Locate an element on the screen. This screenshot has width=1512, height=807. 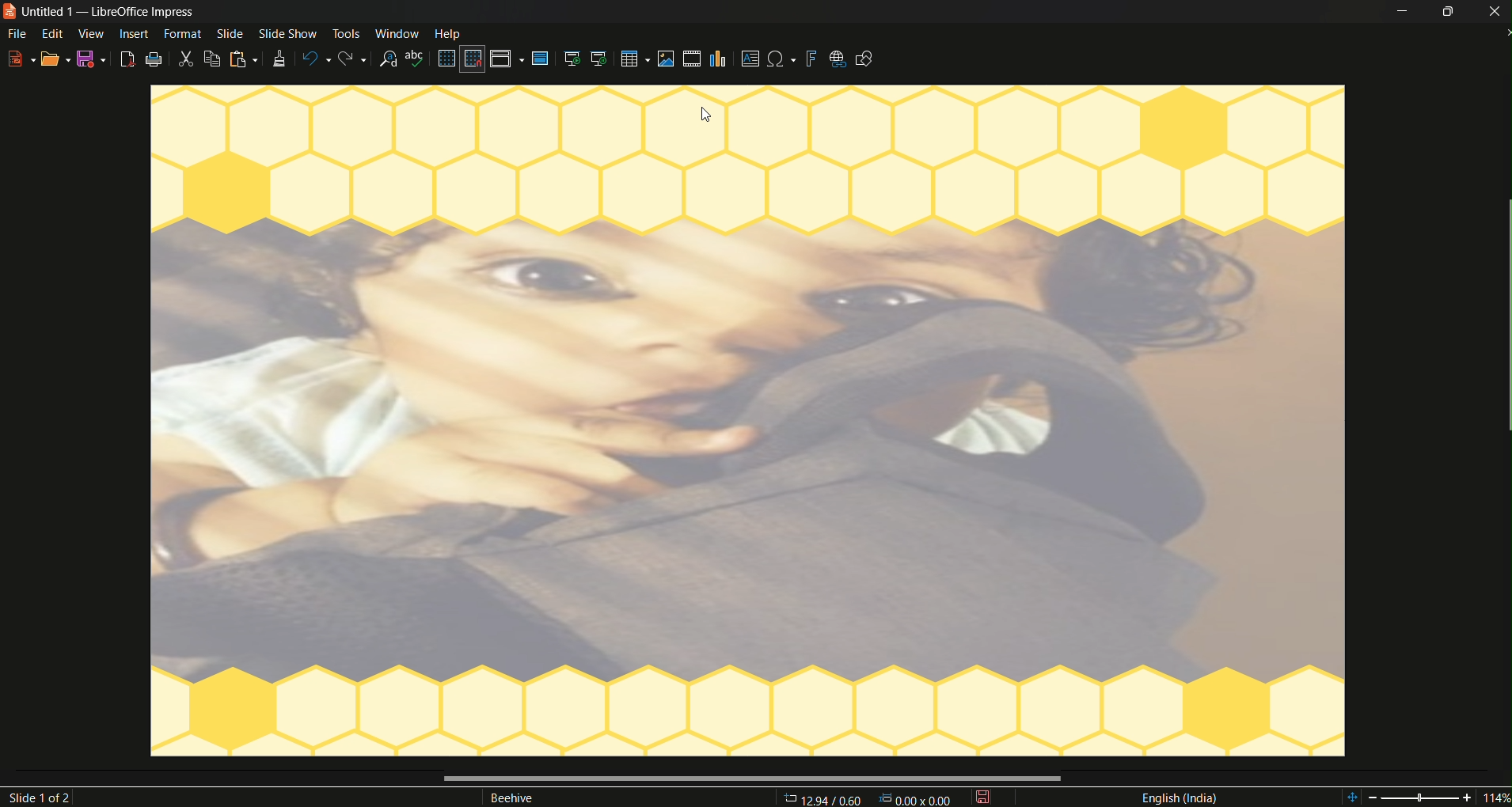
file is located at coordinates (16, 32).